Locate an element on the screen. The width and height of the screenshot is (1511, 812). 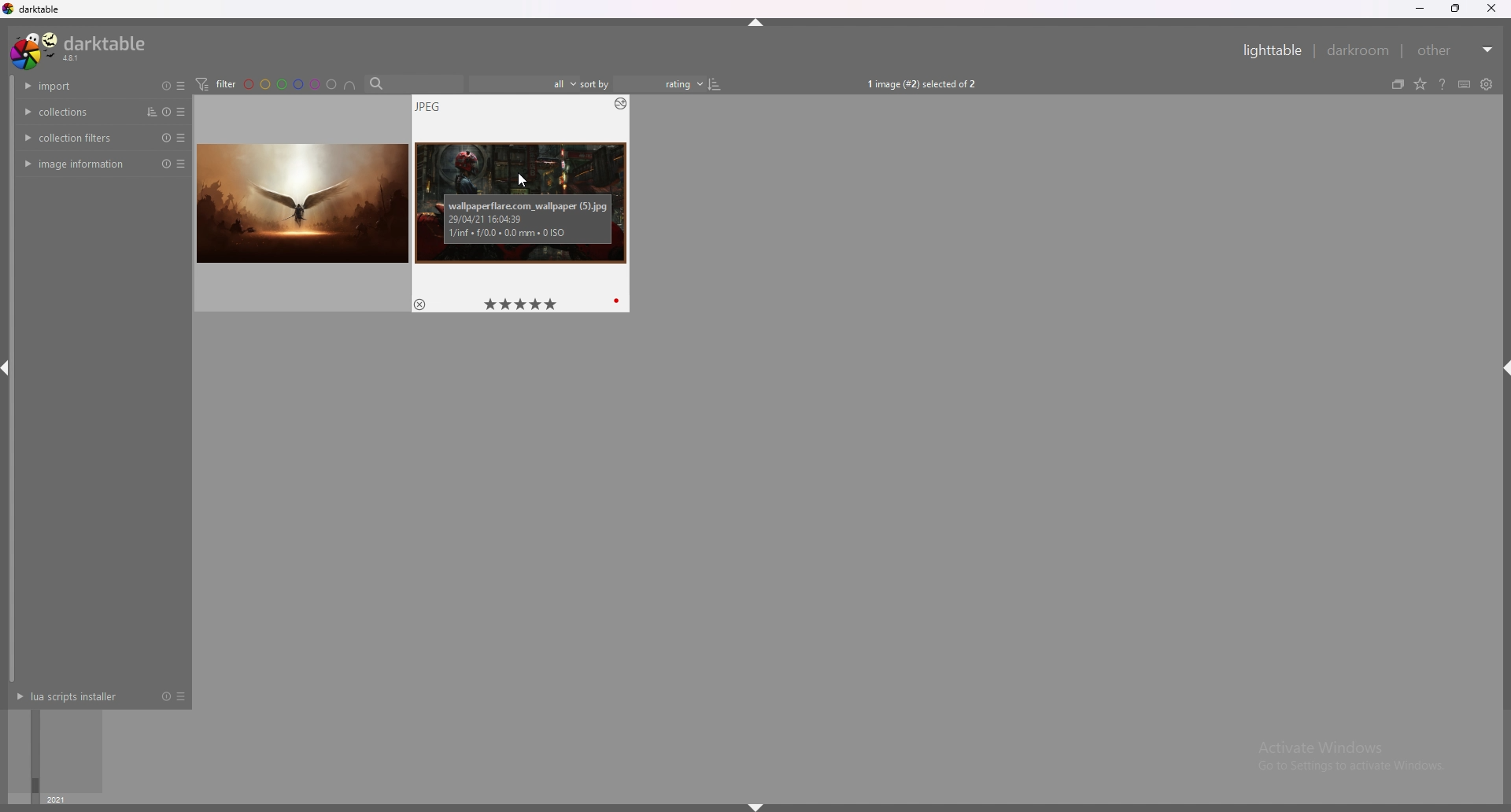
reset is located at coordinates (168, 112).